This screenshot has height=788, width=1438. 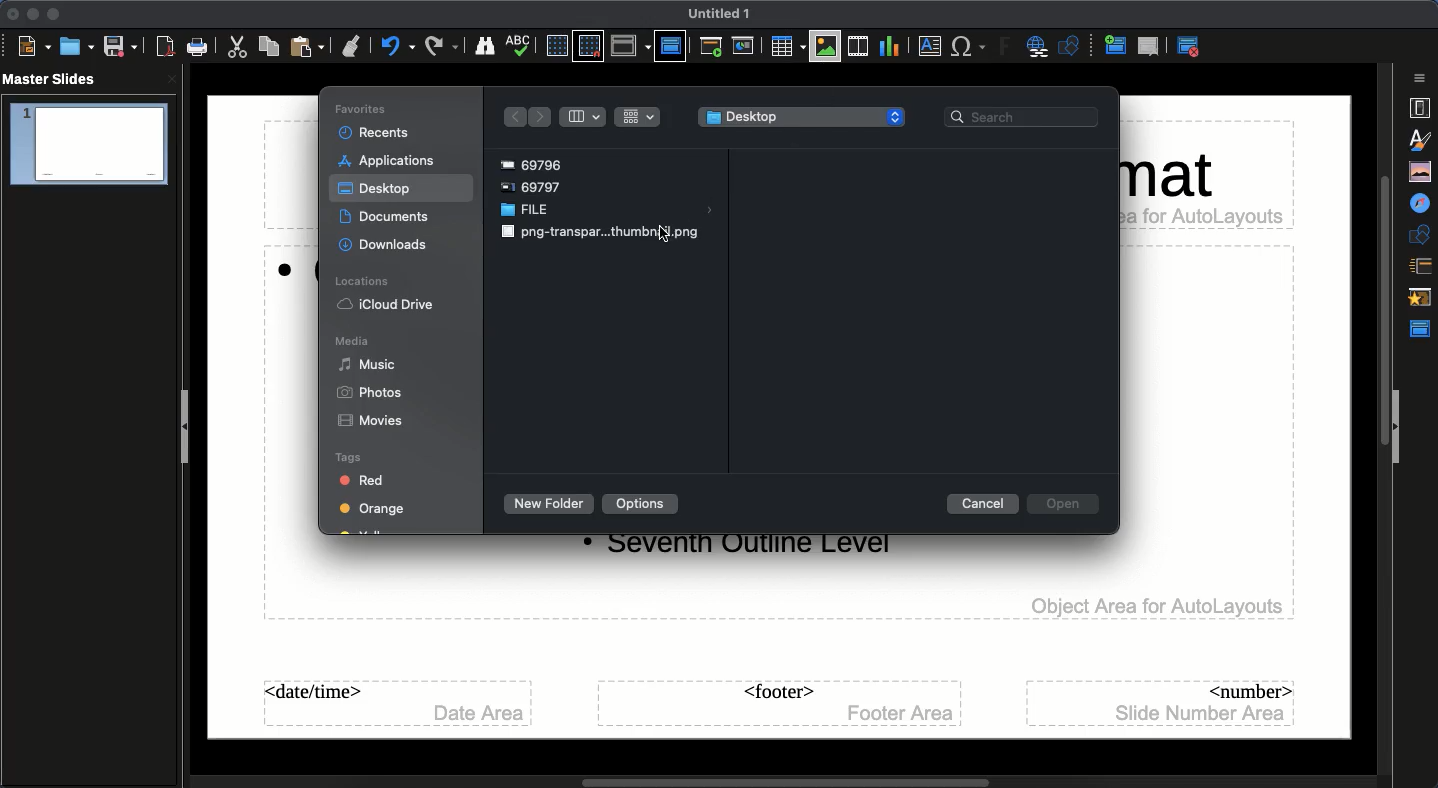 What do you see at coordinates (638, 116) in the screenshot?
I see `Grid` at bounding box center [638, 116].